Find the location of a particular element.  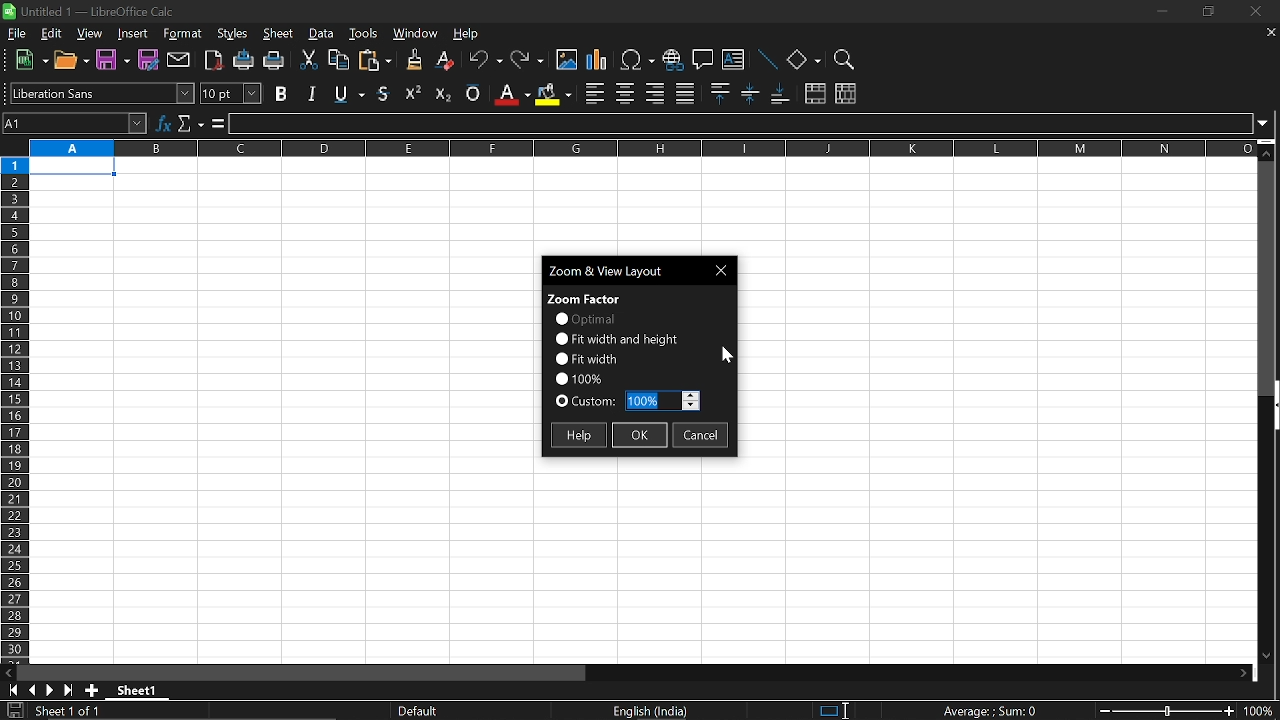

add sheet is located at coordinates (90, 690).